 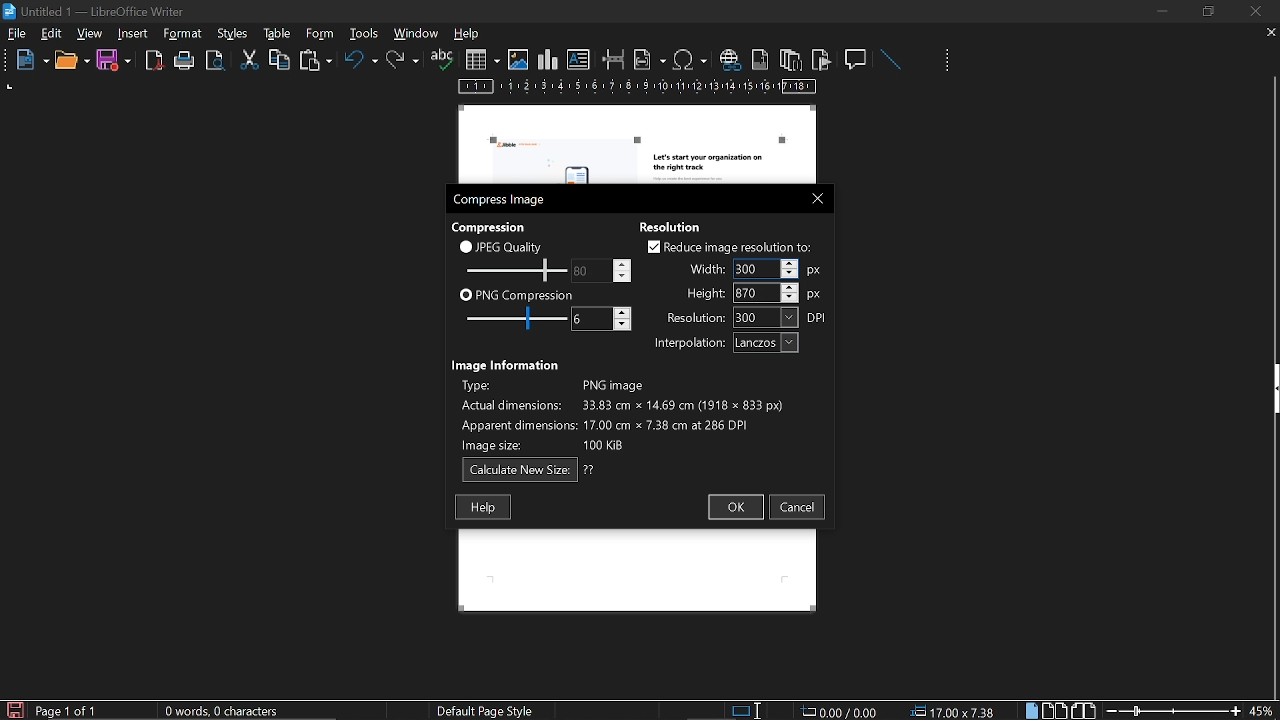 What do you see at coordinates (71, 61) in the screenshot?
I see `open` at bounding box center [71, 61].